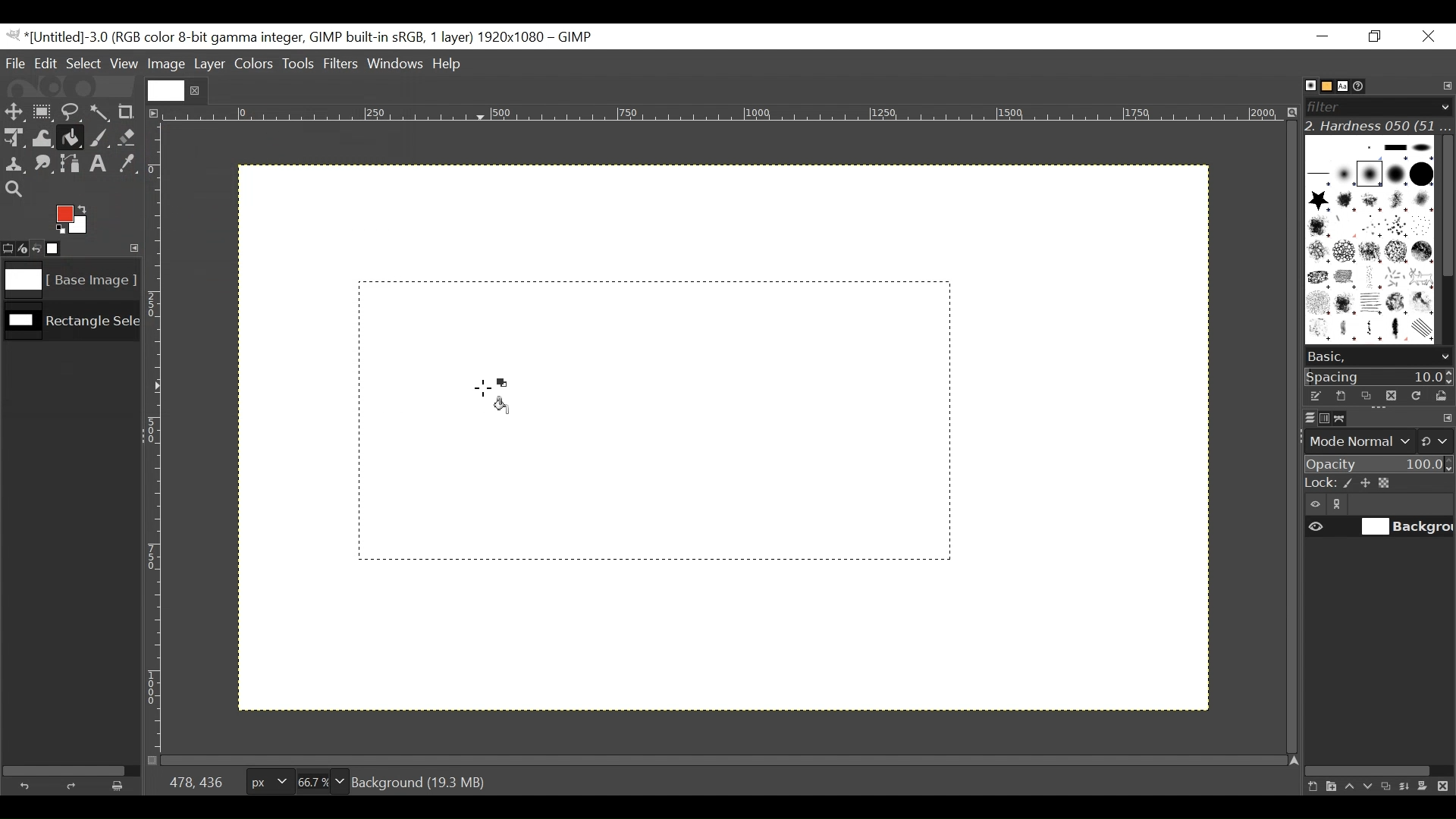  I want to click on Pixels, so click(266, 779).